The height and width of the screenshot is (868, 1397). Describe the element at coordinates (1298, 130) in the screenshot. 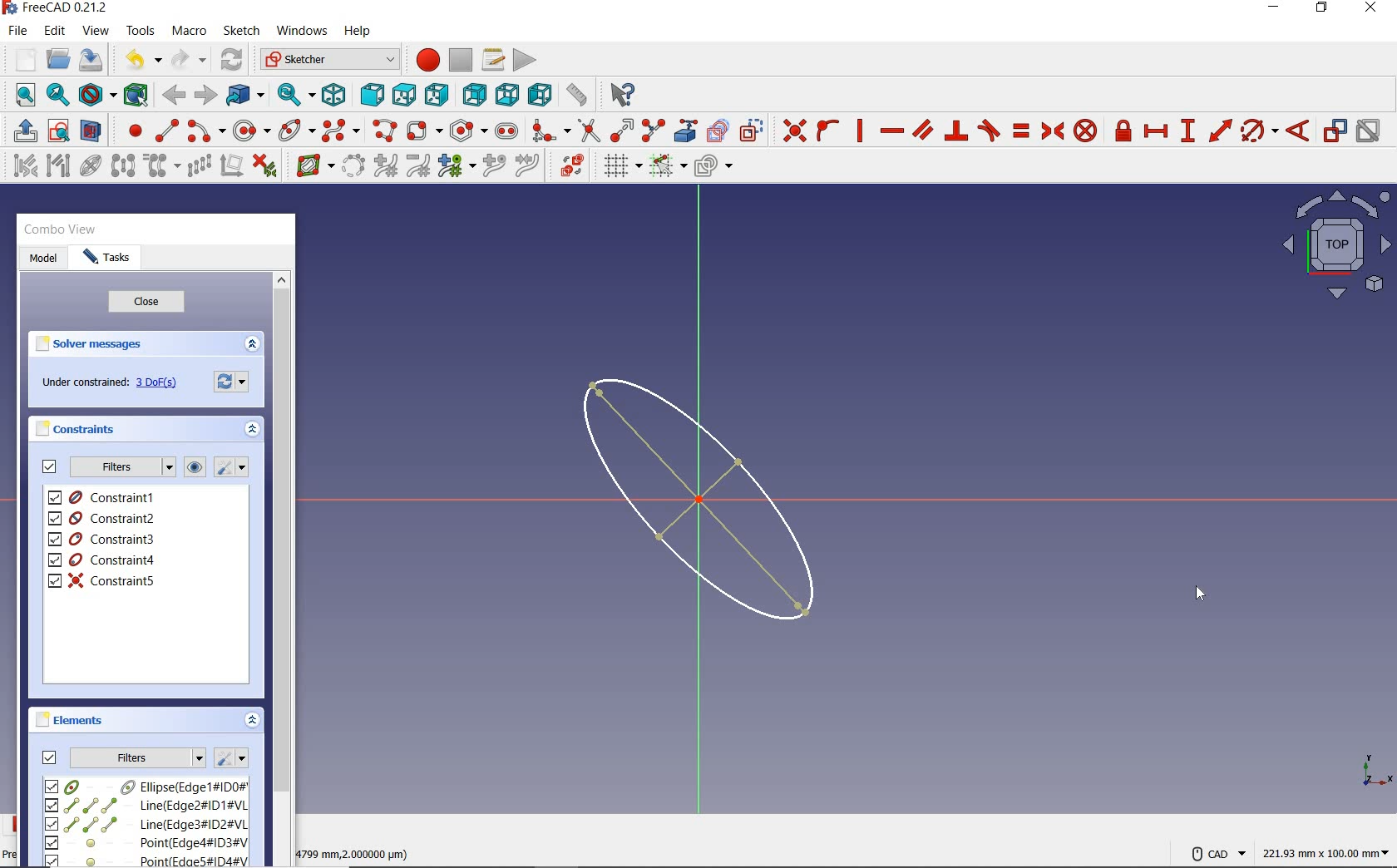

I see `constrain angle` at that location.